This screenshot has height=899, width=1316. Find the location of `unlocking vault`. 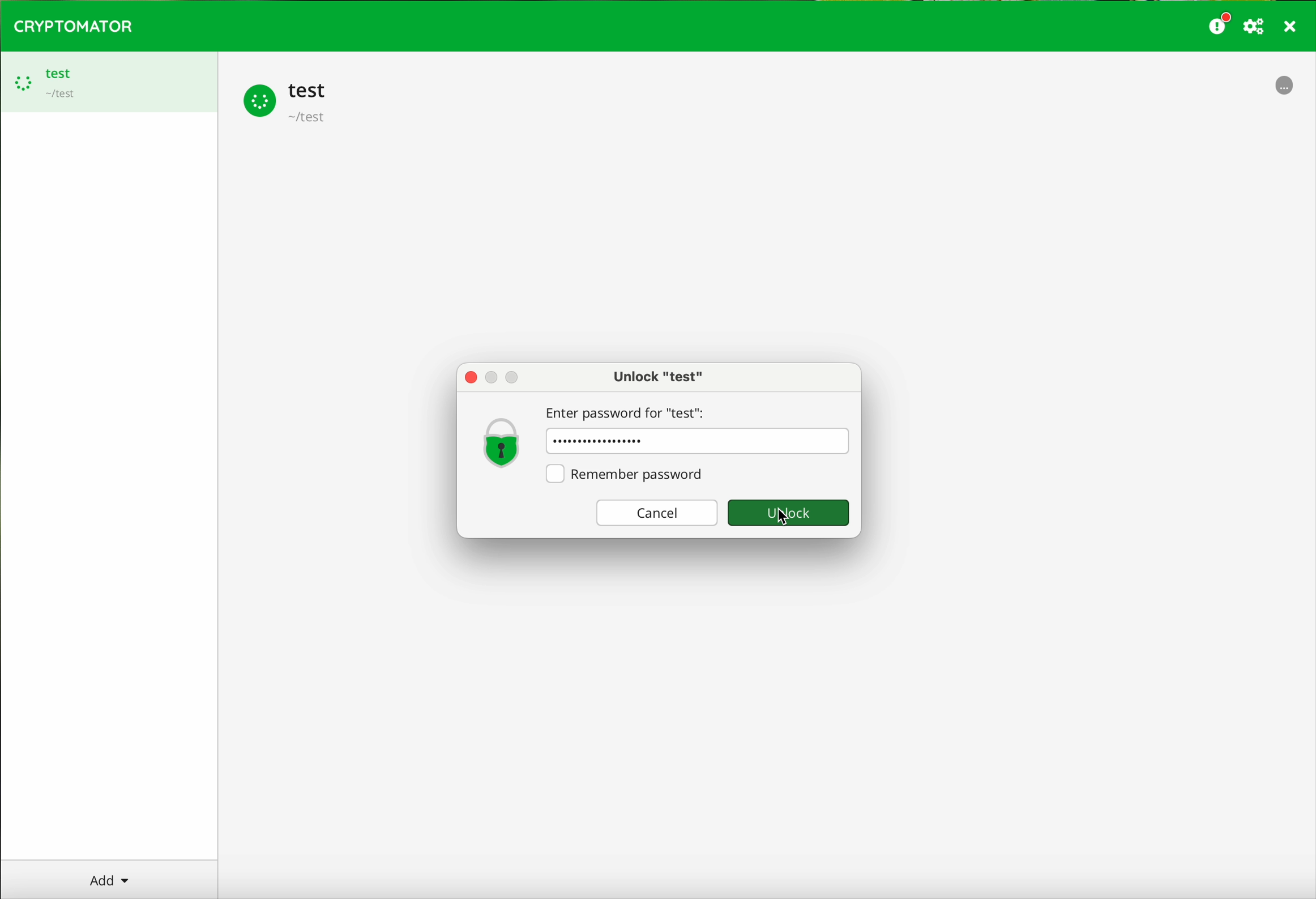

unlocking vault is located at coordinates (109, 82).